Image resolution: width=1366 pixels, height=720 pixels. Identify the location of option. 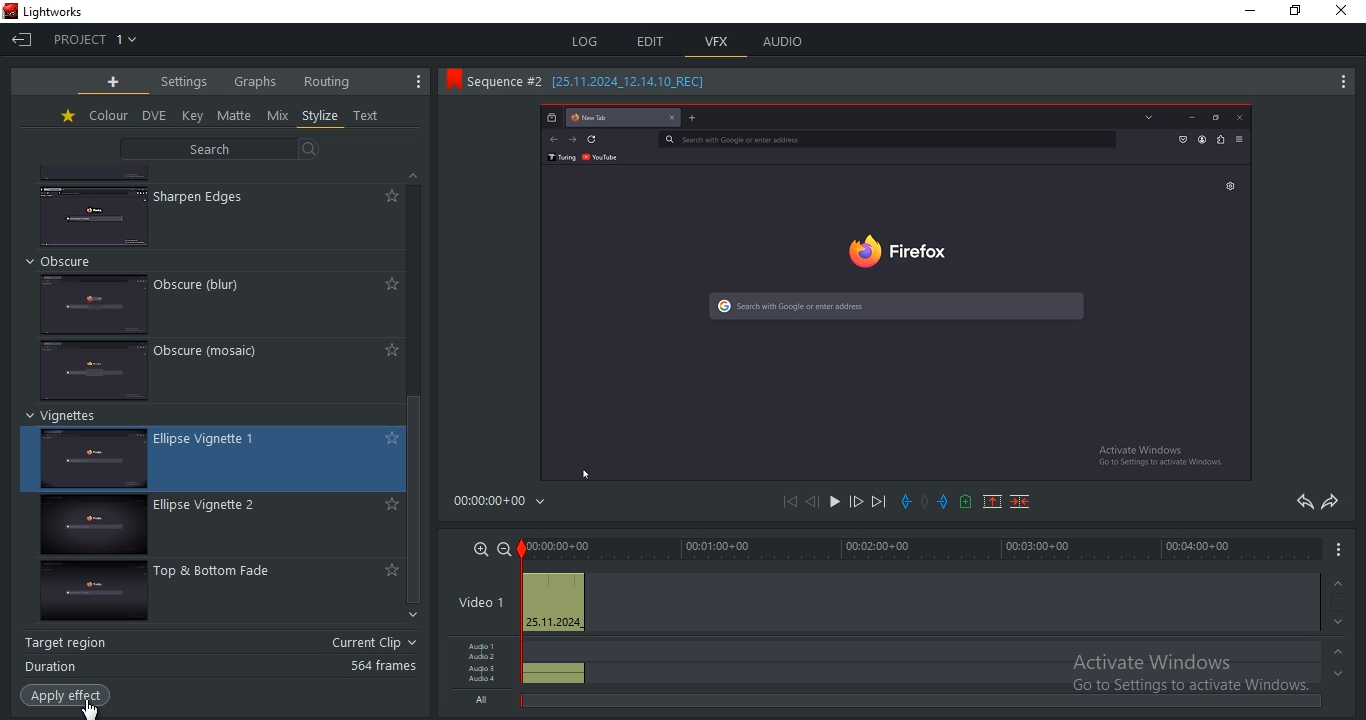
(833, 502).